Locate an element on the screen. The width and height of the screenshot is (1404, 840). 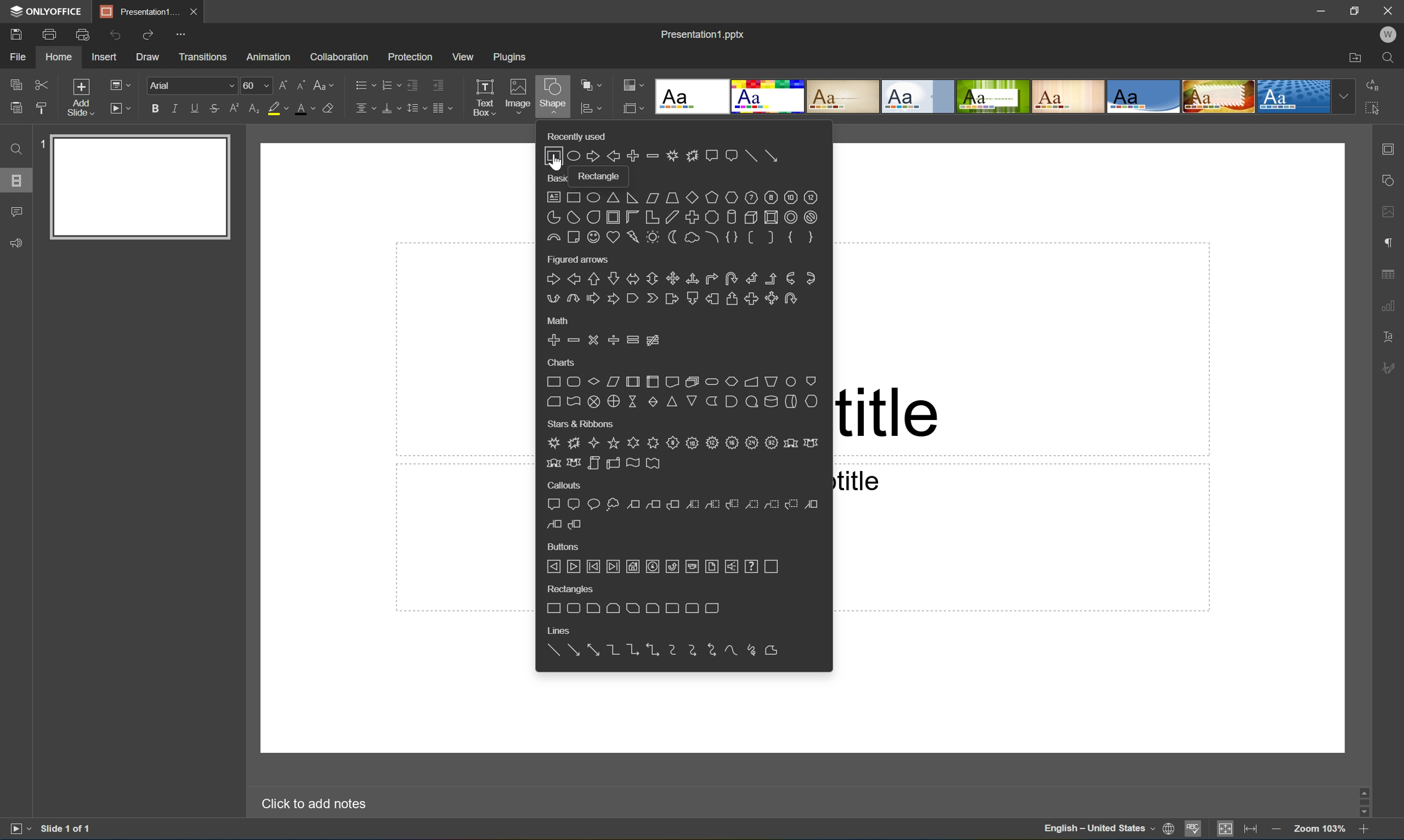
Slide 1 of 1 is located at coordinates (70, 829).